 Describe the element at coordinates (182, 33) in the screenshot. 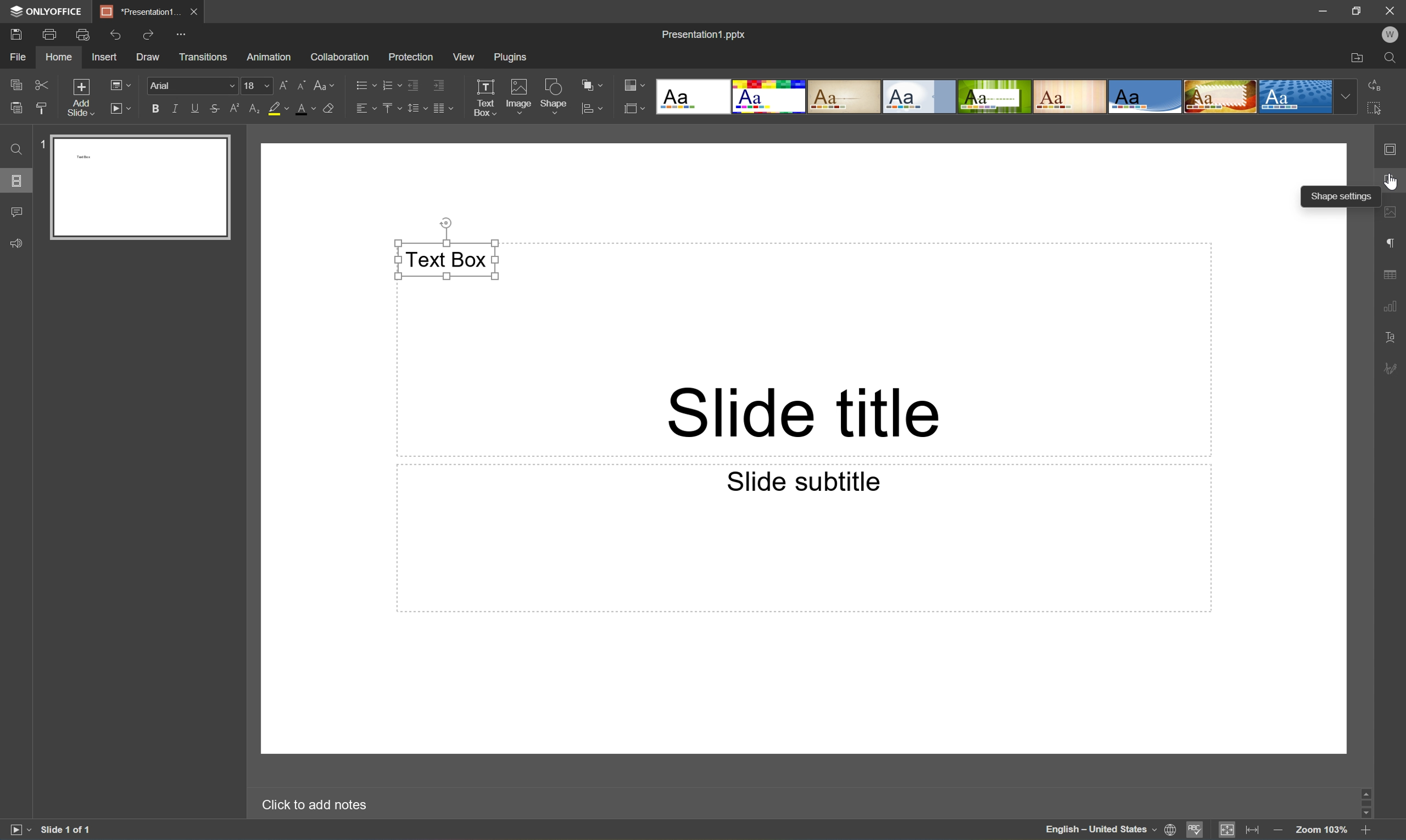

I see `Customize quick access toolbar` at that location.